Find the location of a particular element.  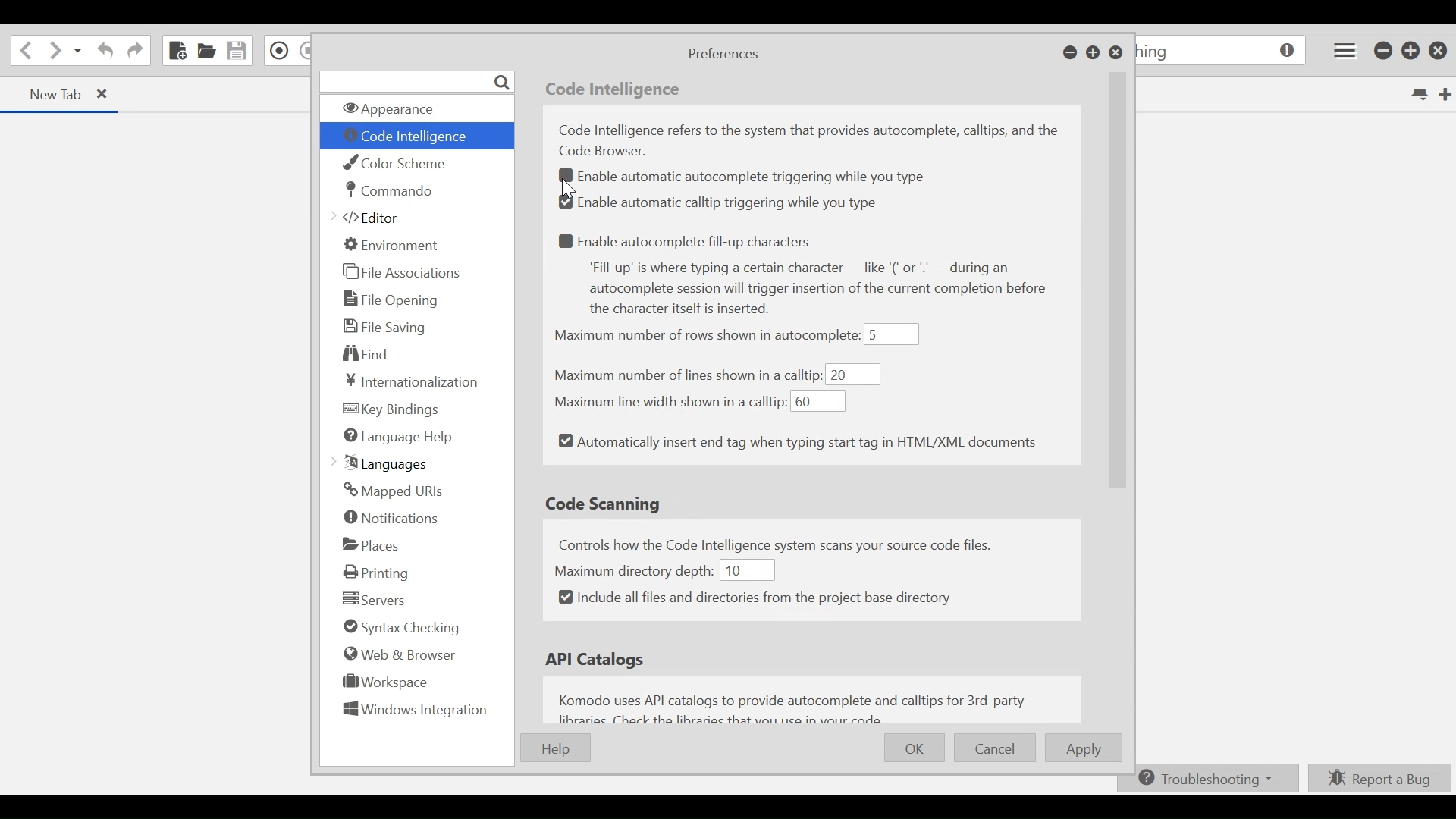

close is located at coordinates (1441, 50).